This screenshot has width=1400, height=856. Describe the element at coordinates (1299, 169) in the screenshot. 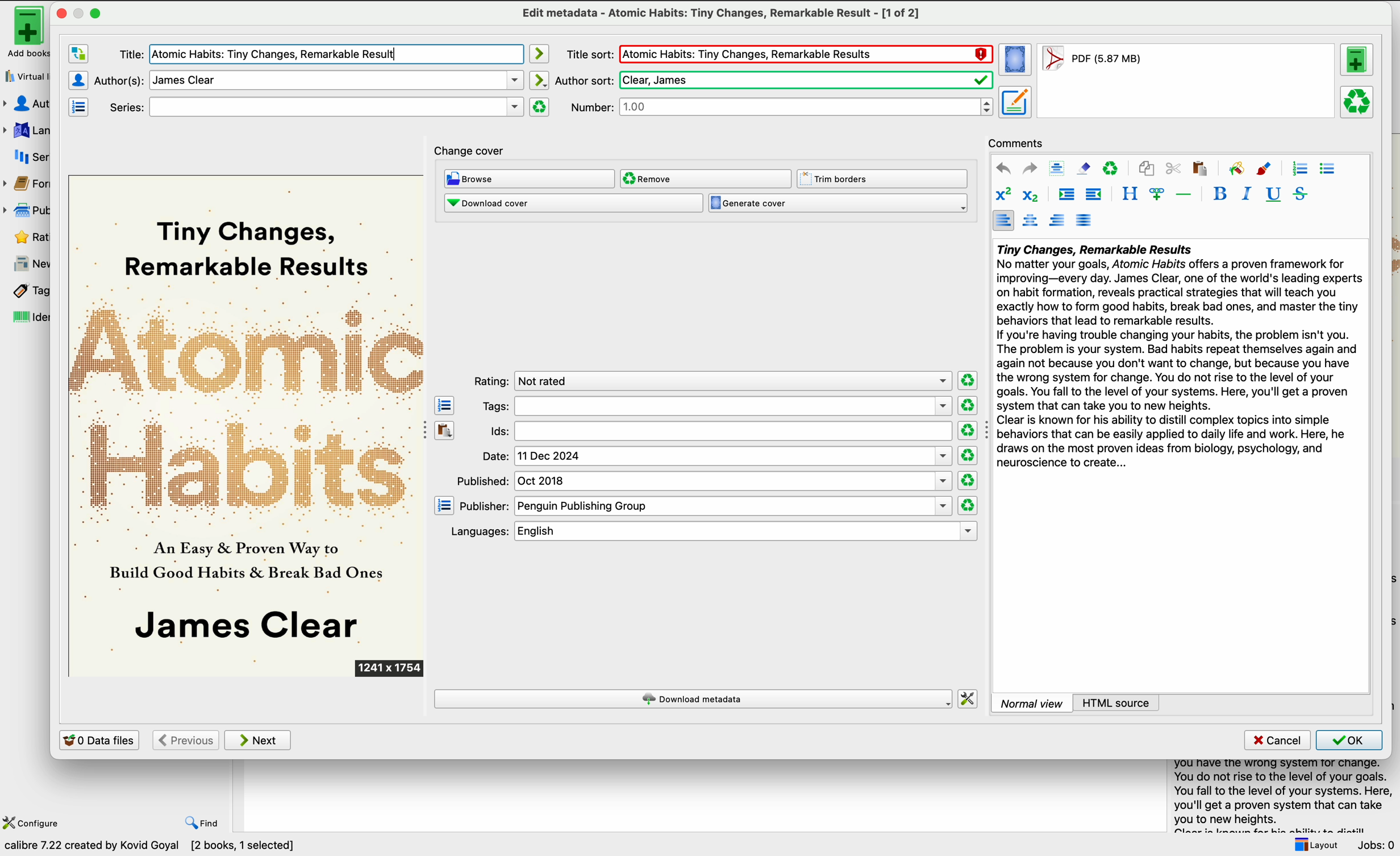

I see `ordered list` at that location.